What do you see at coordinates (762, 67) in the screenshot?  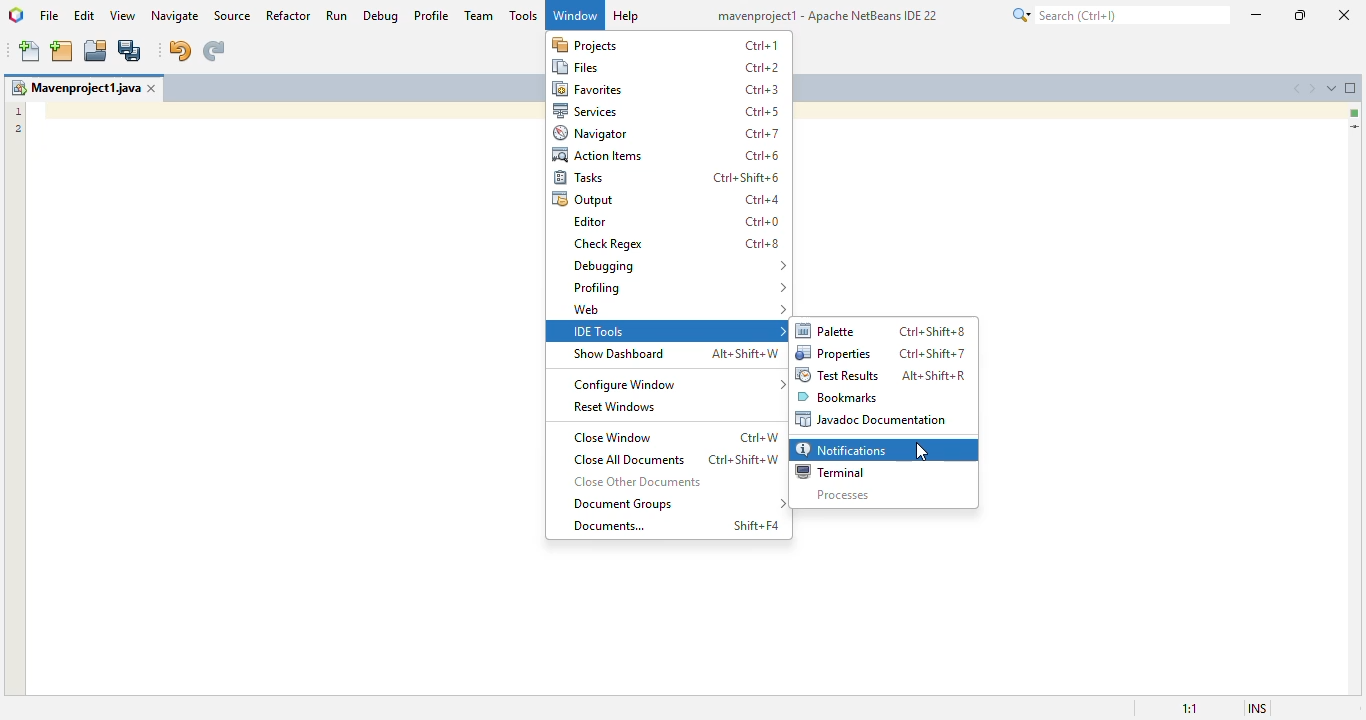 I see `shortcut for files` at bounding box center [762, 67].